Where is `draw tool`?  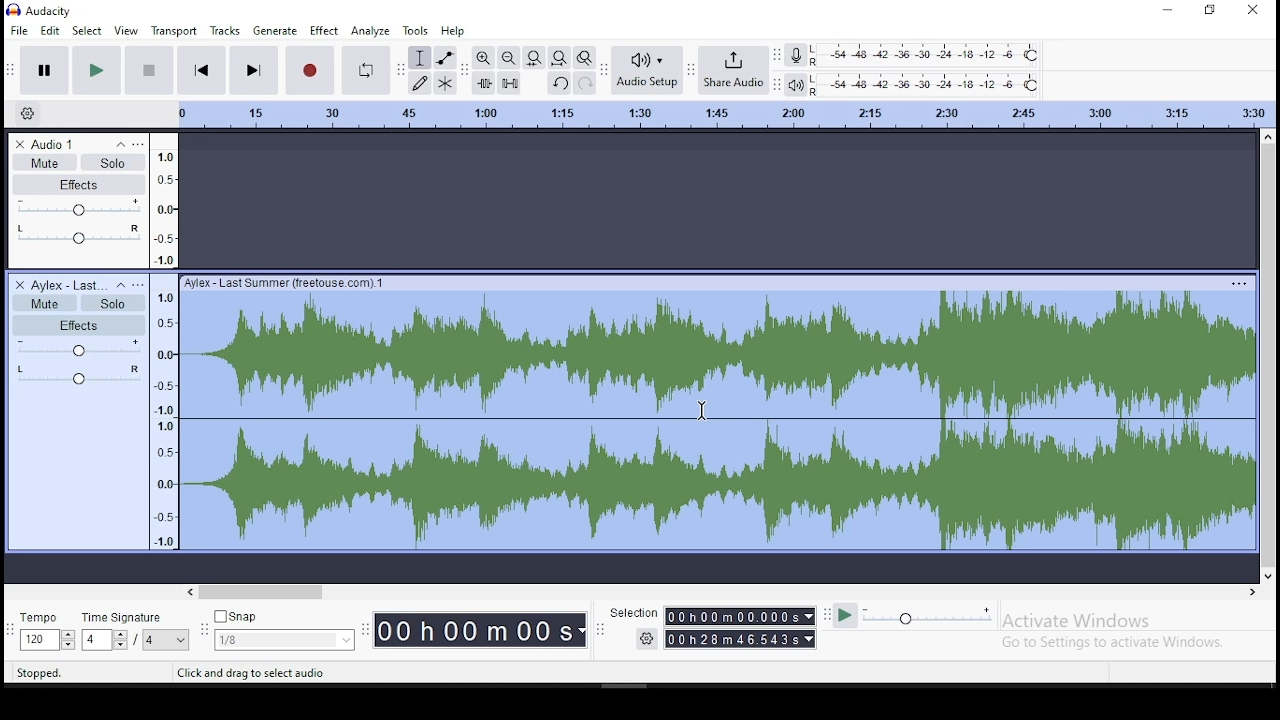
draw tool is located at coordinates (417, 82).